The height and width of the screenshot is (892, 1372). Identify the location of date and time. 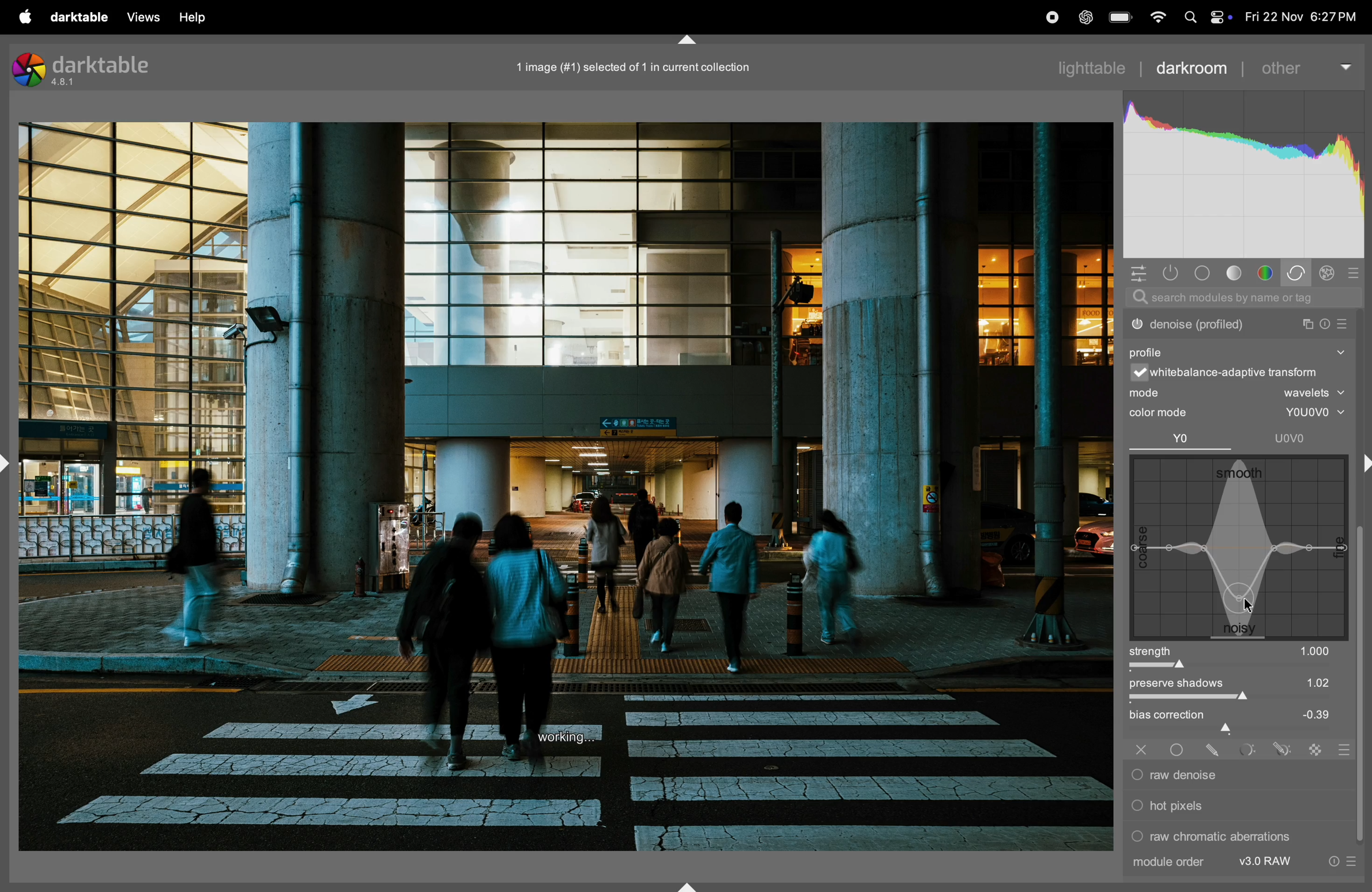
(1297, 18).